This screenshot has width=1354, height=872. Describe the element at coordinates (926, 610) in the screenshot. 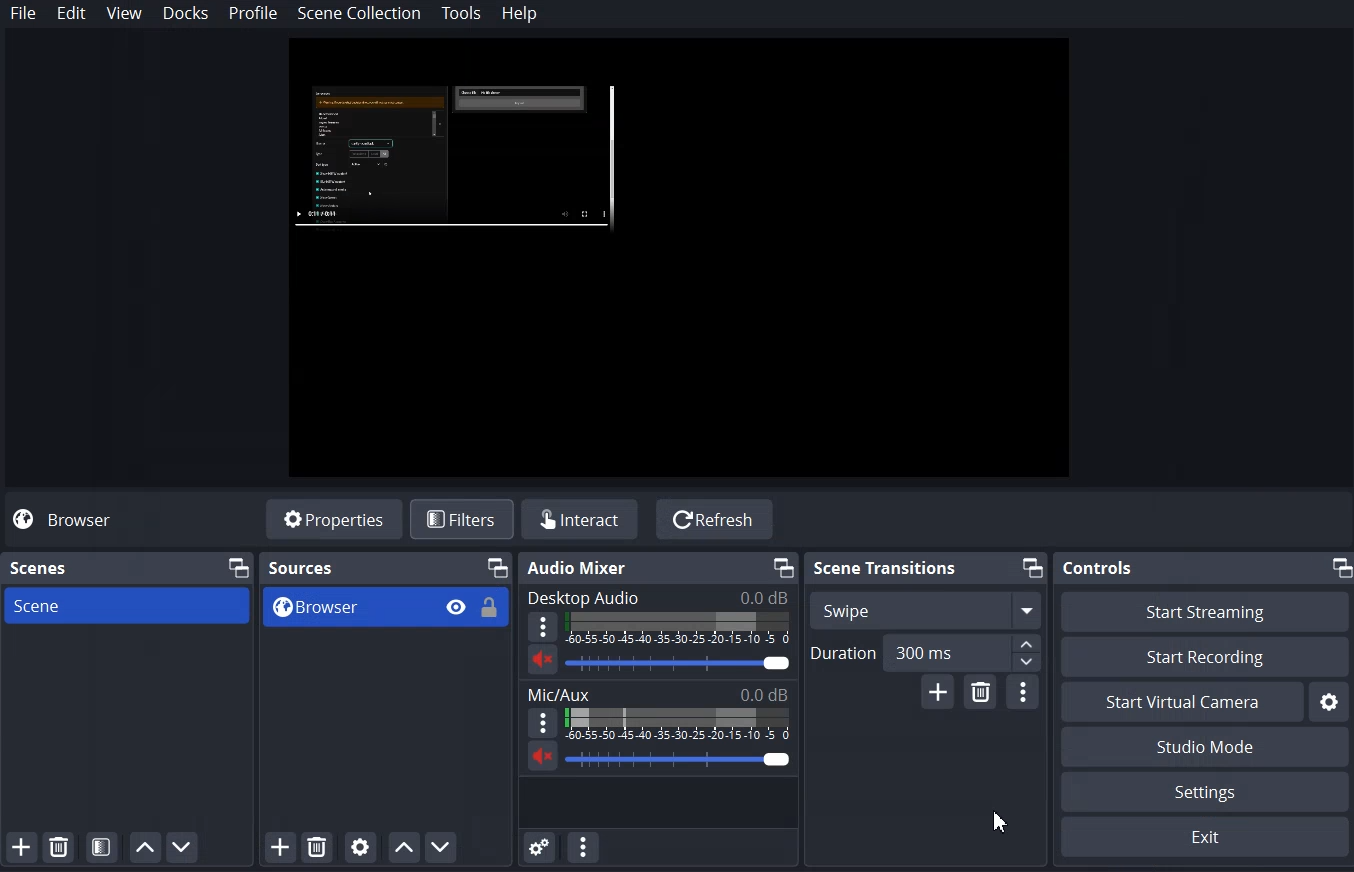

I see `Swipe` at that location.